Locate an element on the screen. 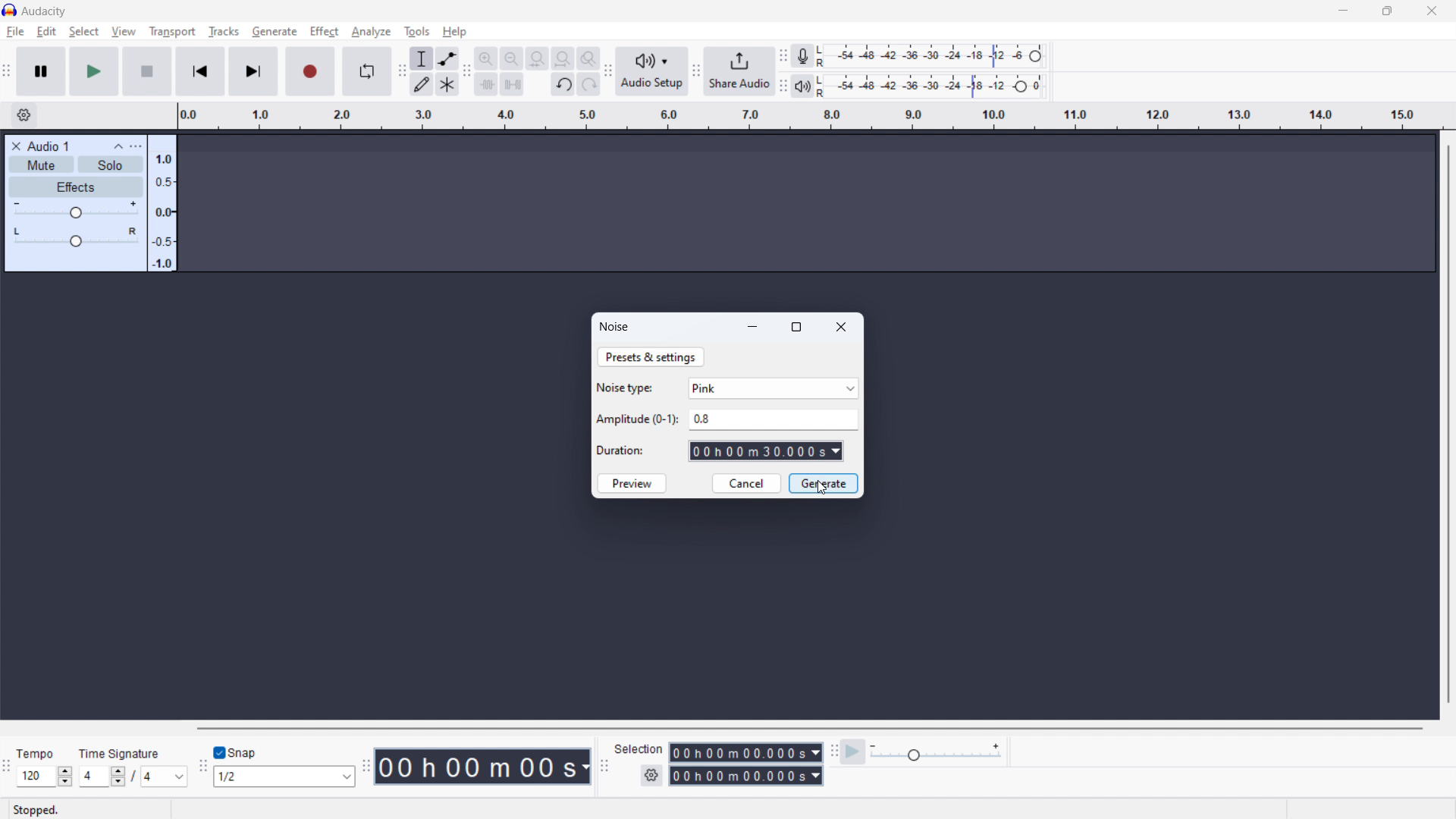 The image size is (1456, 819). draw tool is located at coordinates (422, 83).